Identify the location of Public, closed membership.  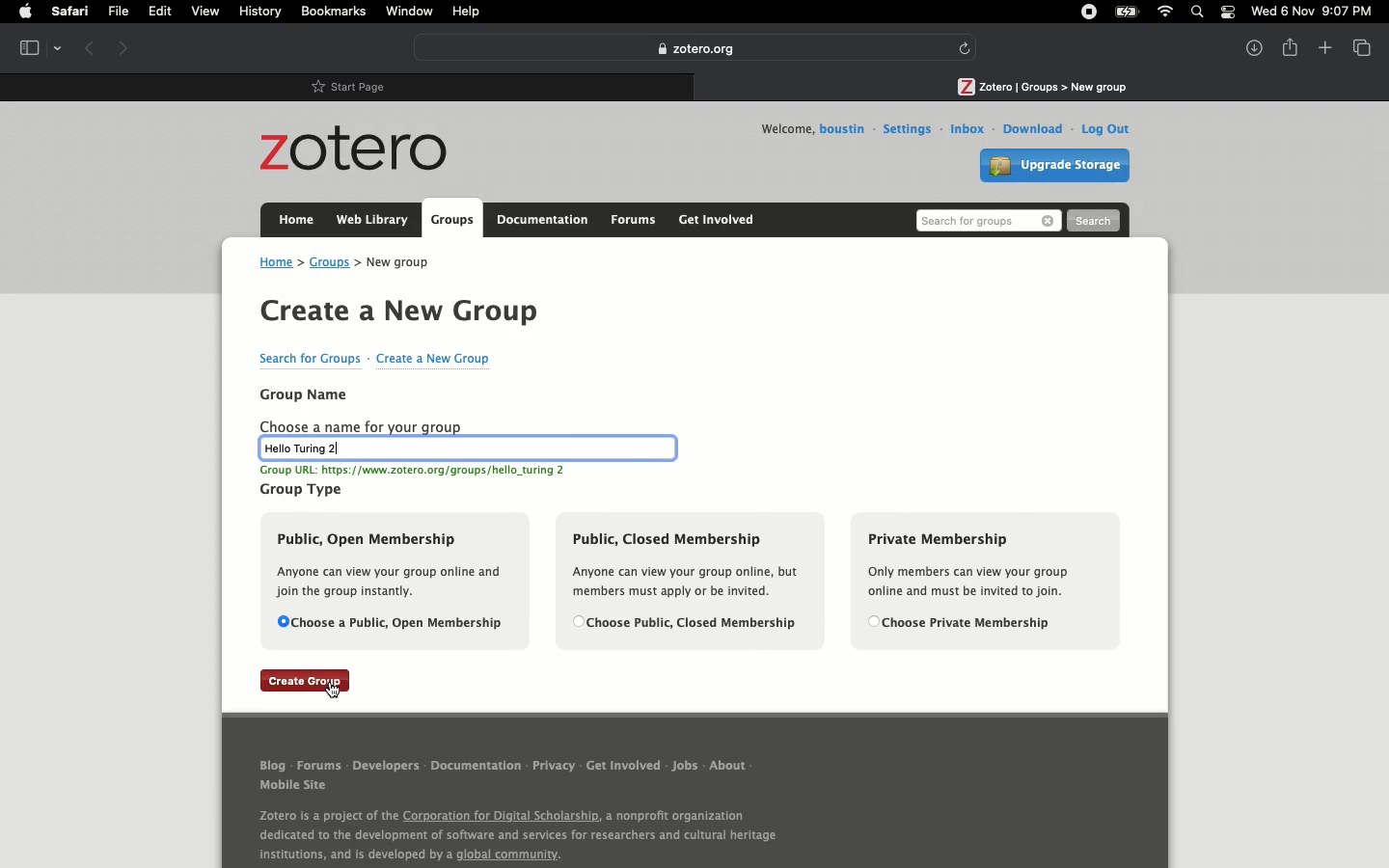
(689, 581).